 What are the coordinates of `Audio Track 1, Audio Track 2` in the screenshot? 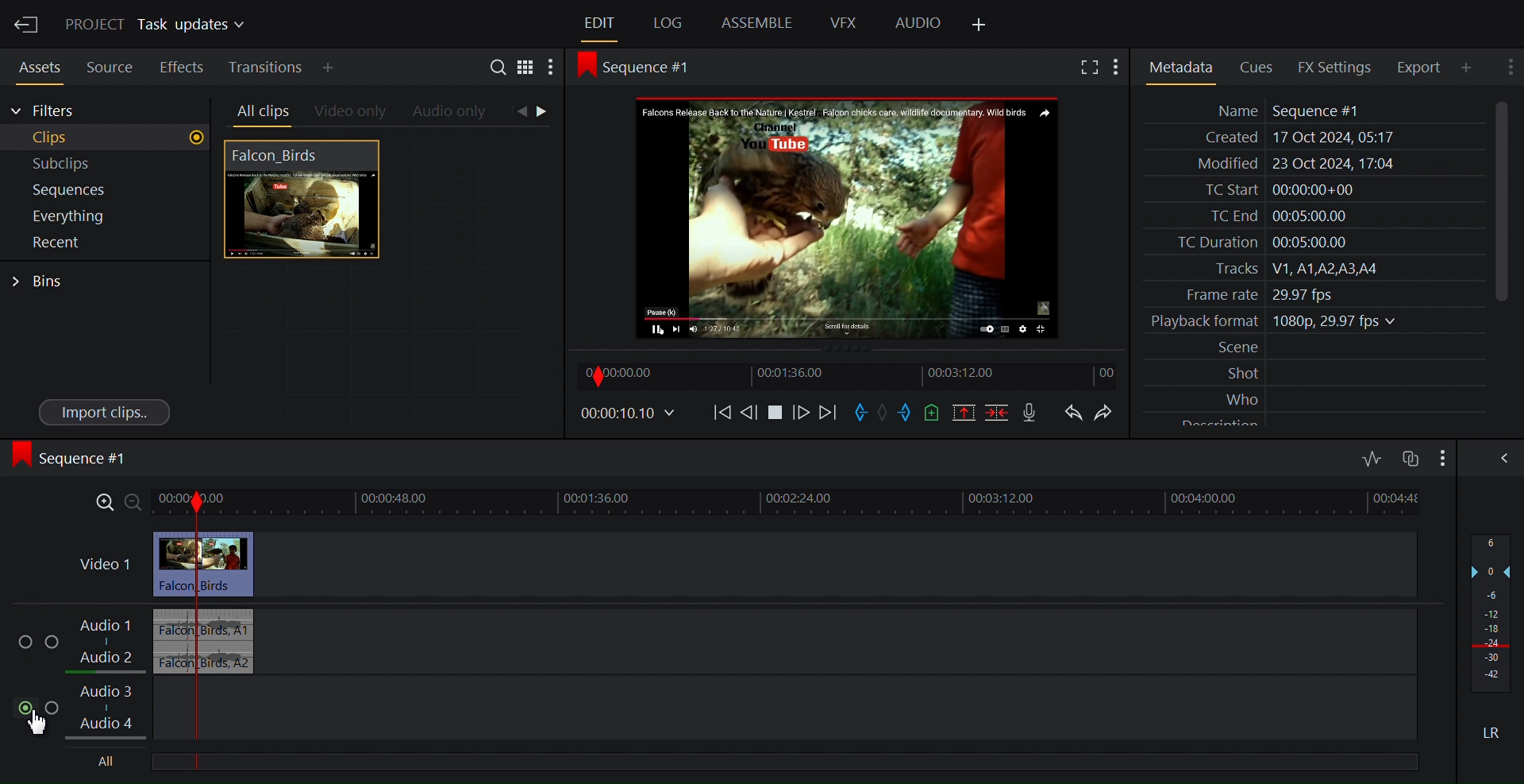 It's located at (113, 643).